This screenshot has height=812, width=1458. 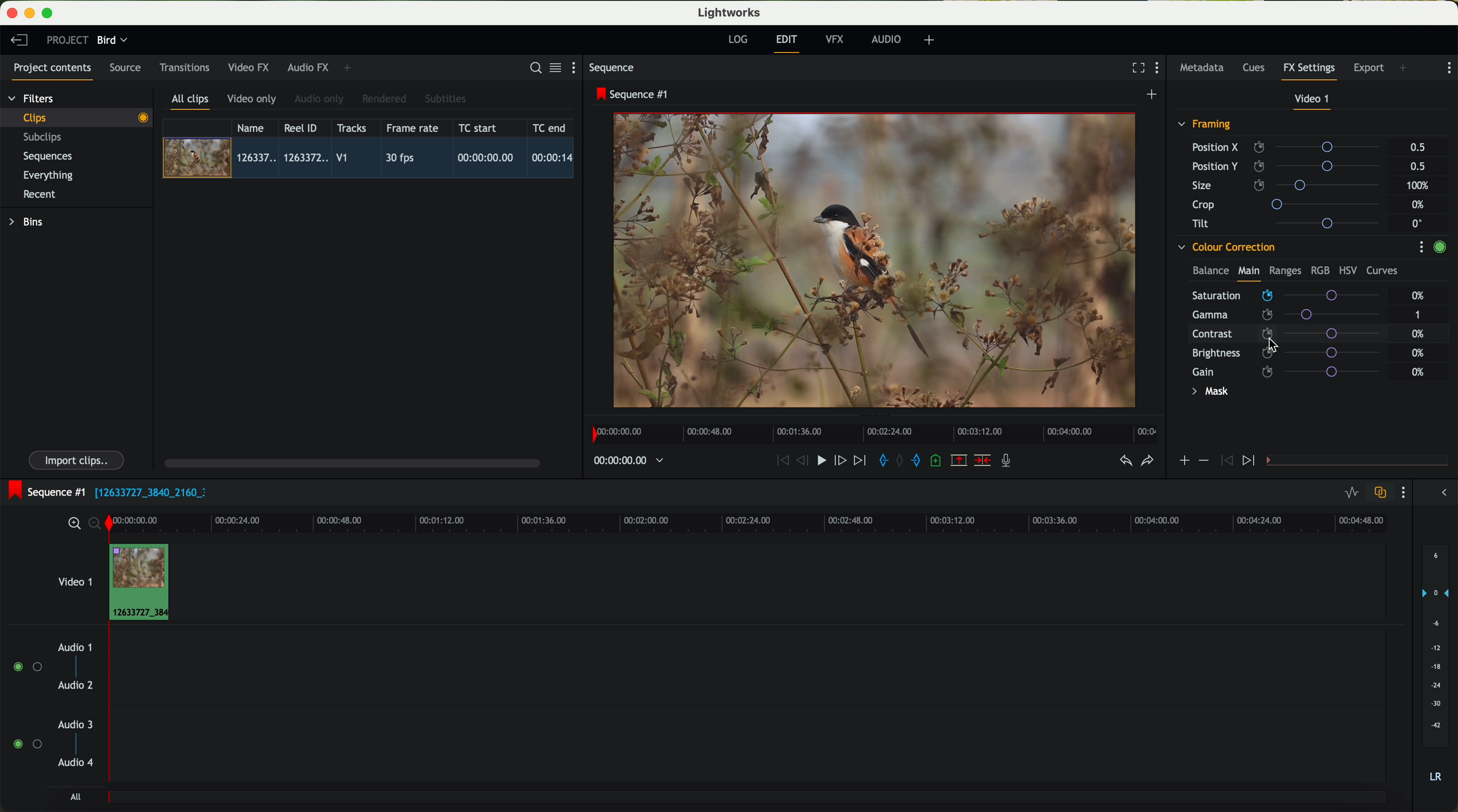 I want to click on 1, so click(x=1418, y=316).